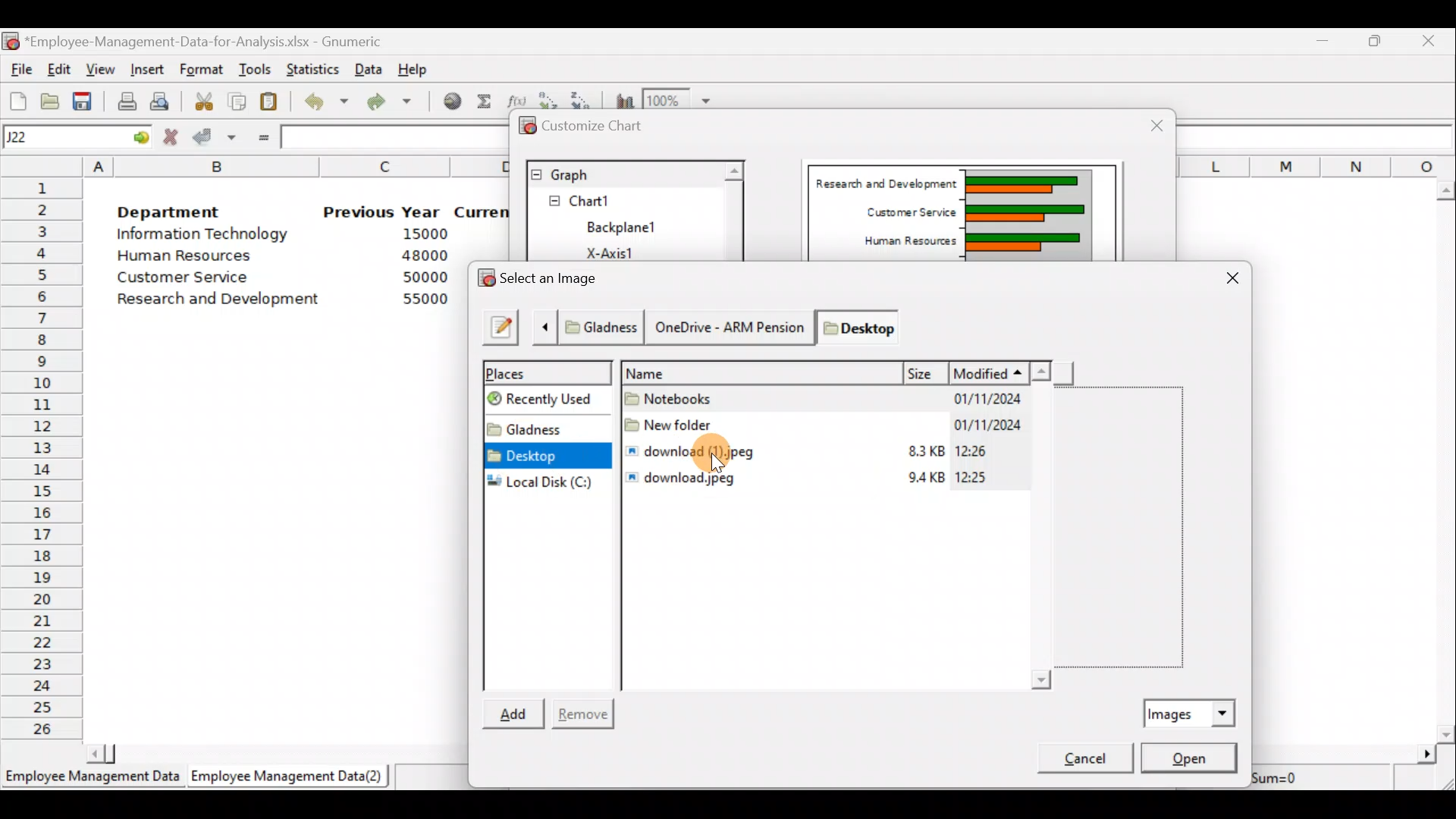 The height and width of the screenshot is (819, 1456). I want to click on Open, so click(1189, 758).